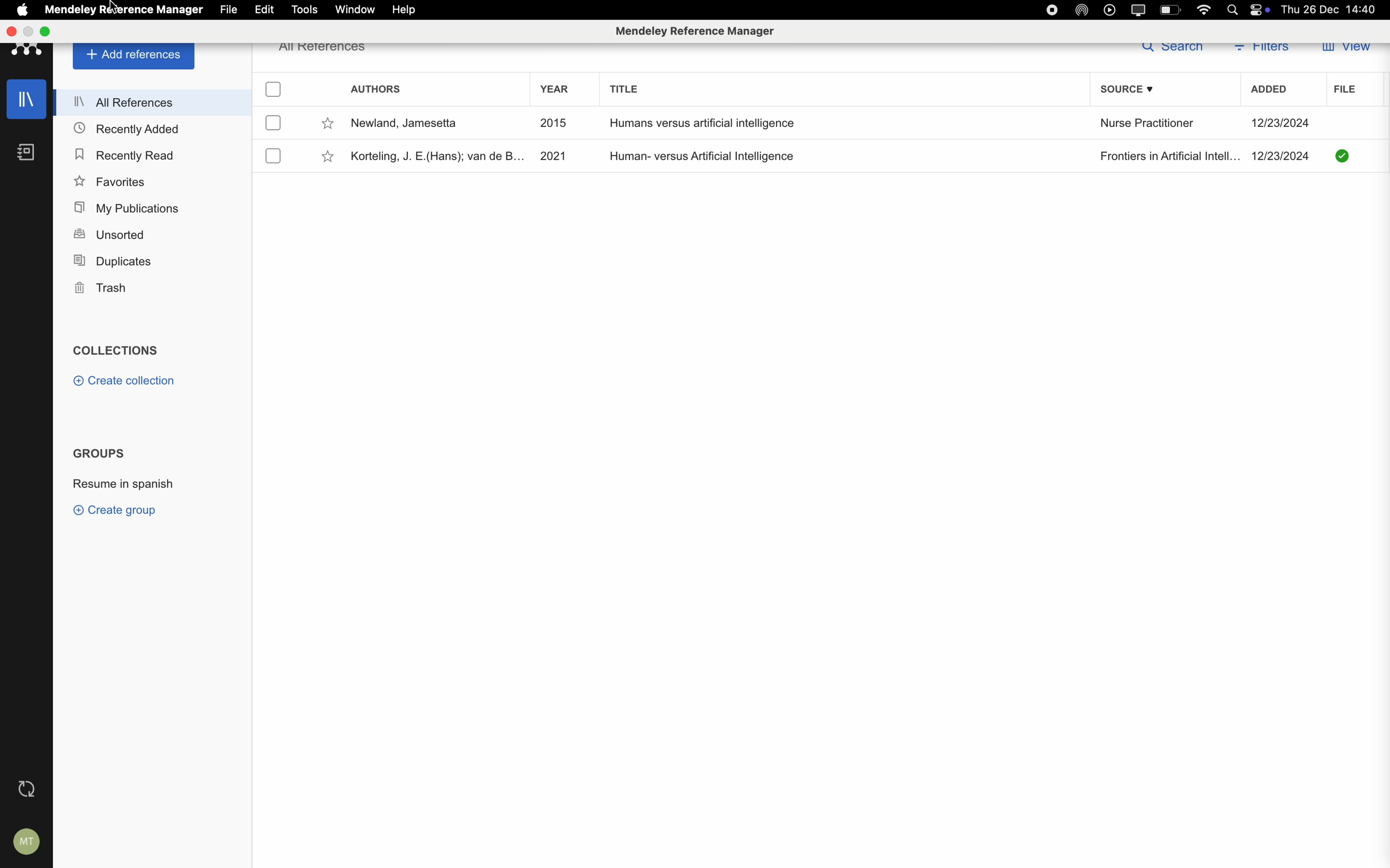 Image resolution: width=1390 pixels, height=868 pixels. I want to click on stop recording, so click(1049, 10).